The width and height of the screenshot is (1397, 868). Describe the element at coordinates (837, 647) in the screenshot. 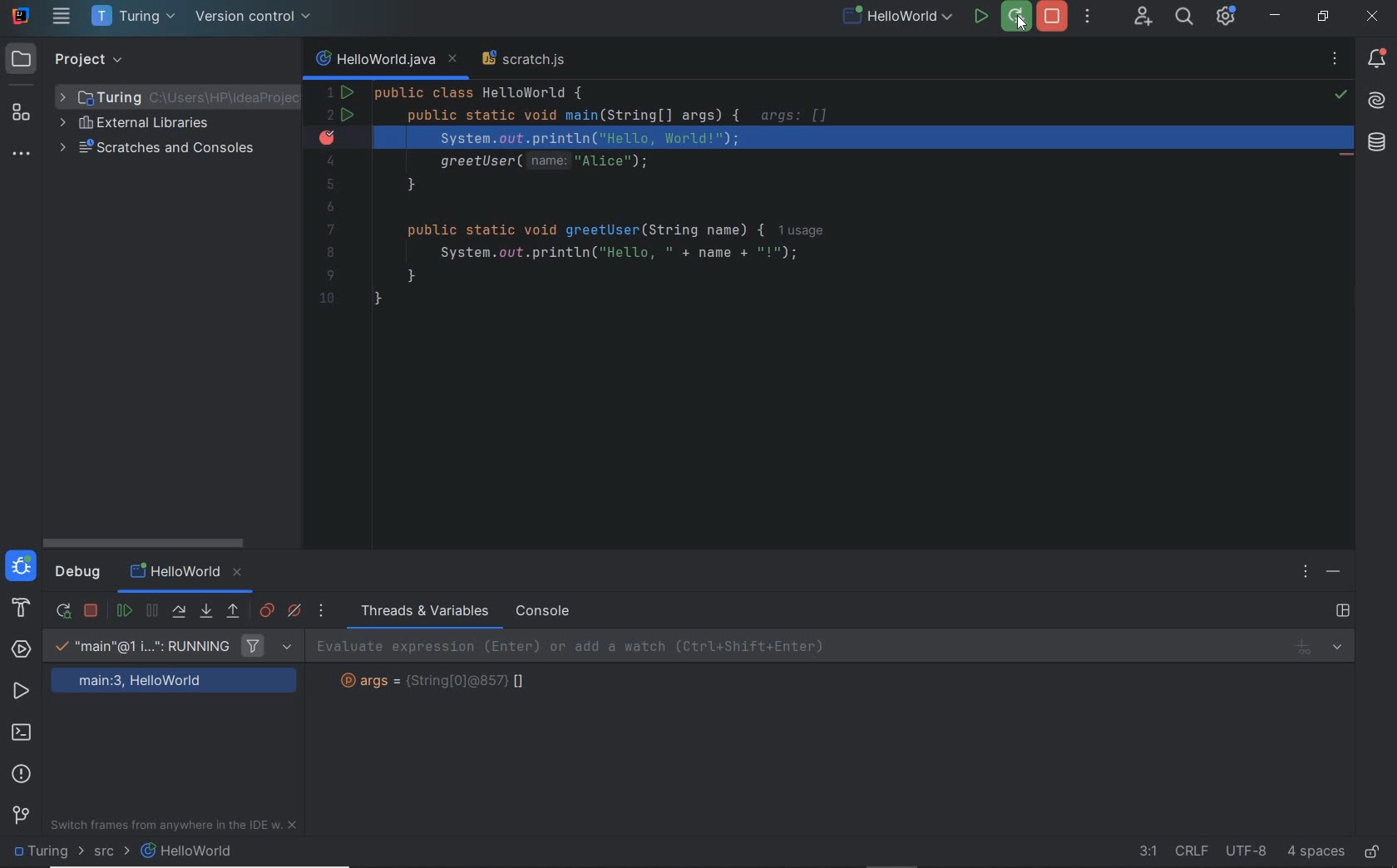

I see `add to watches` at that location.